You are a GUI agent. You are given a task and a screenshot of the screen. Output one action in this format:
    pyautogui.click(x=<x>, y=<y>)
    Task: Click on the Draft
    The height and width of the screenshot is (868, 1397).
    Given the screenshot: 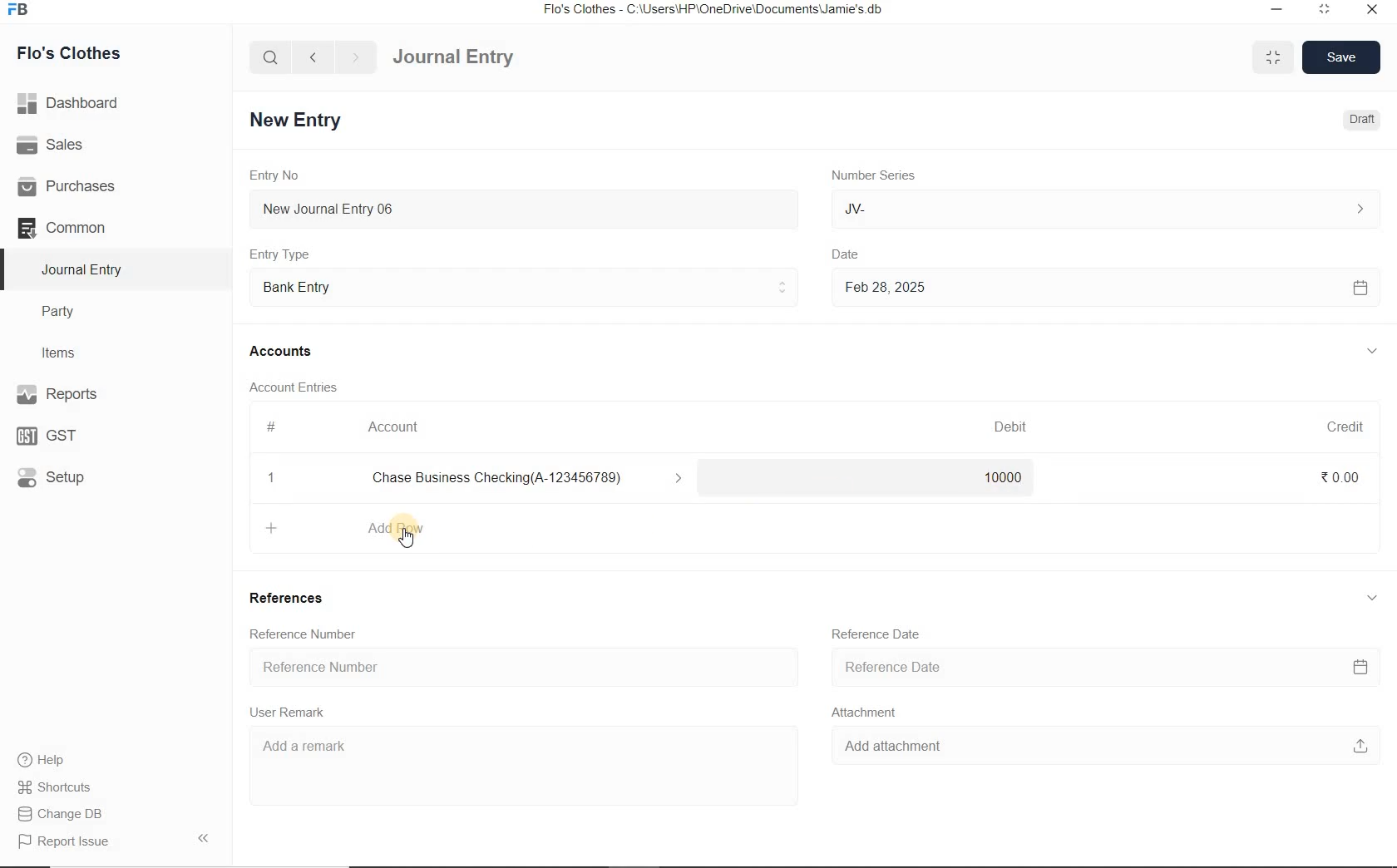 What is the action you would take?
    pyautogui.click(x=1359, y=120)
    